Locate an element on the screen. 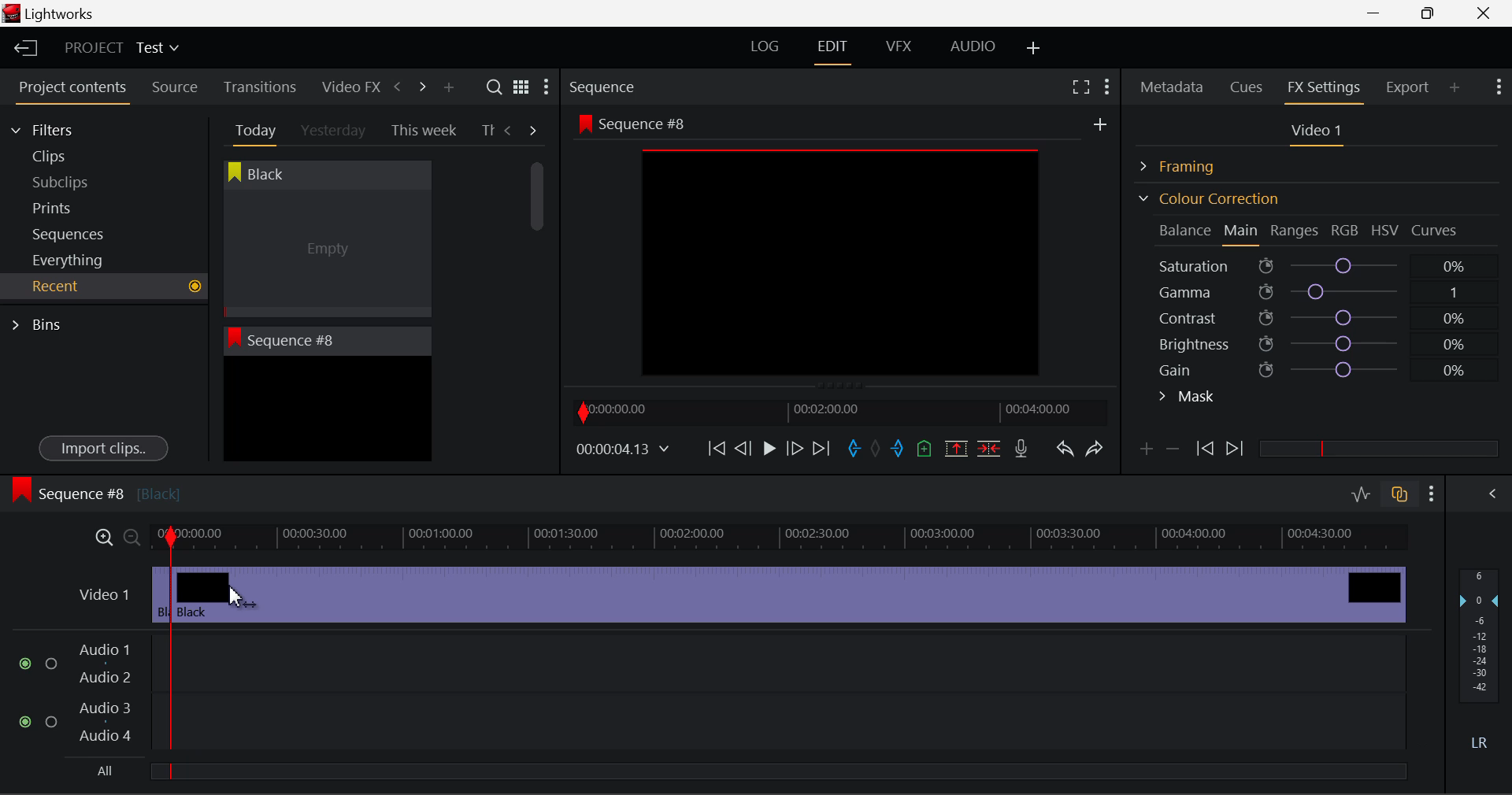  Colour Correction is located at coordinates (1208, 198).